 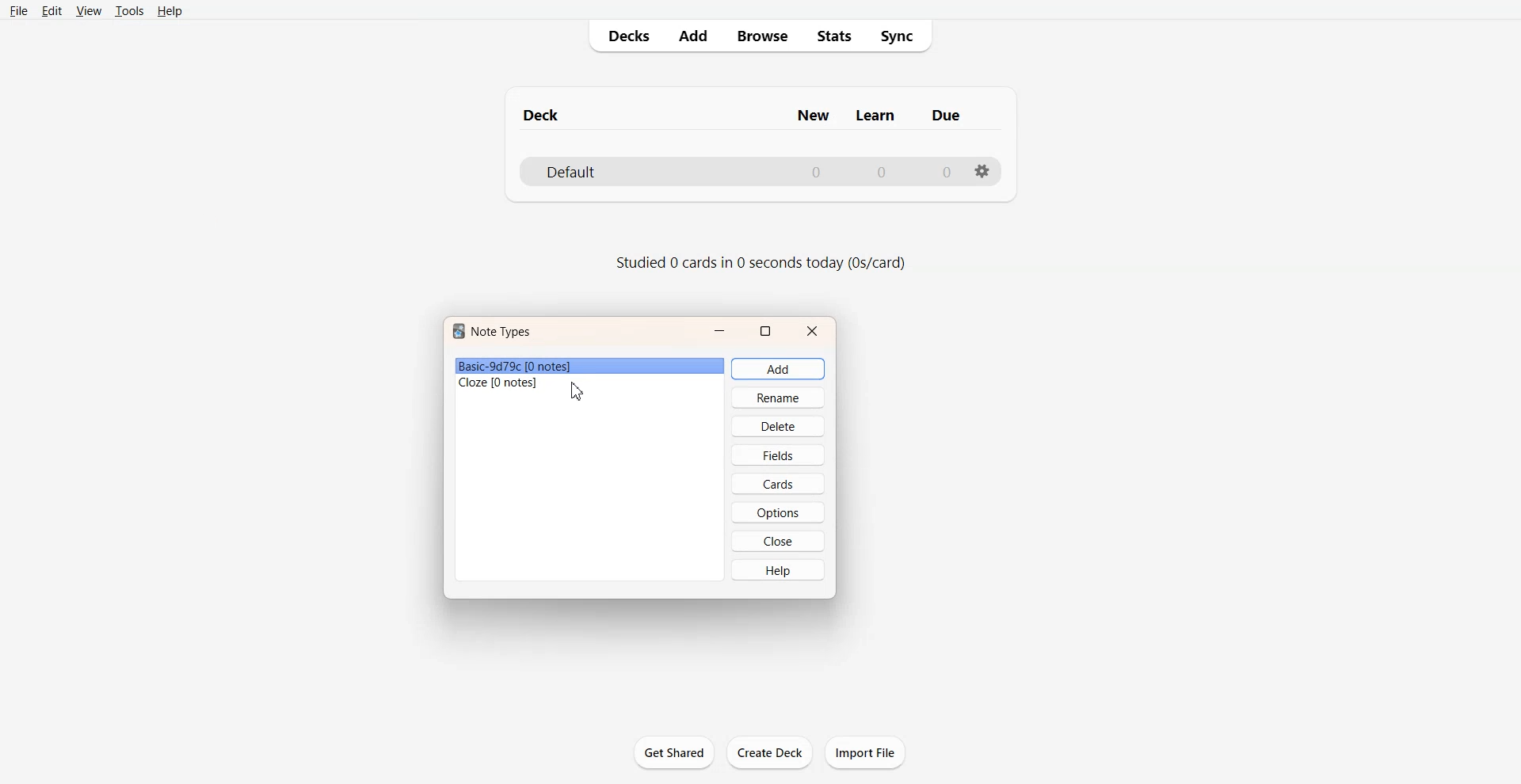 What do you see at coordinates (492, 330) in the screenshot?
I see `Text` at bounding box center [492, 330].